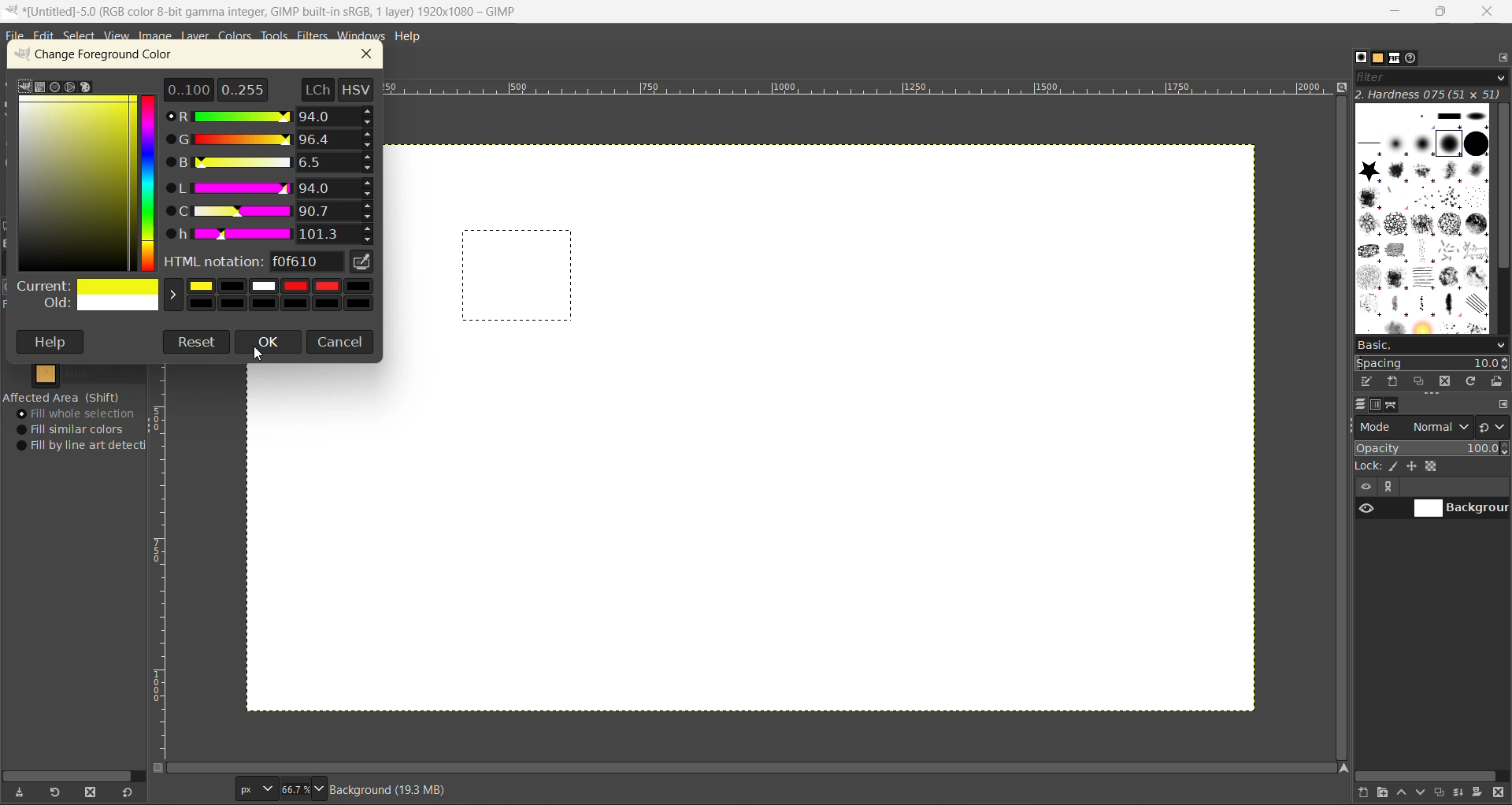 Image resolution: width=1512 pixels, height=805 pixels. What do you see at coordinates (85, 447) in the screenshot?
I see `fill by line art detection` at bounding box center [85, 447].